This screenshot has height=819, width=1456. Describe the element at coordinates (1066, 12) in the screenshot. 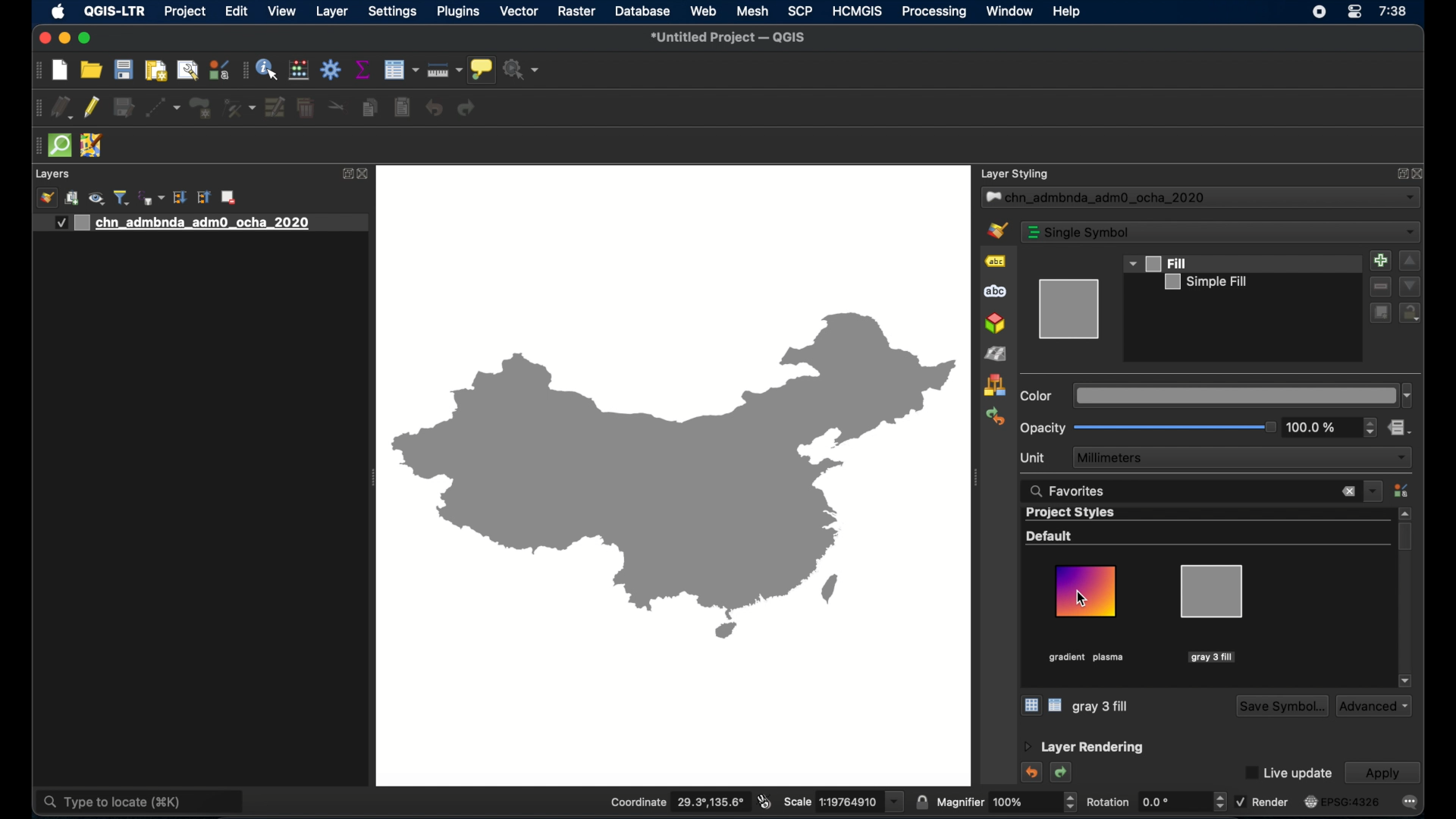

I see `help` at that location.